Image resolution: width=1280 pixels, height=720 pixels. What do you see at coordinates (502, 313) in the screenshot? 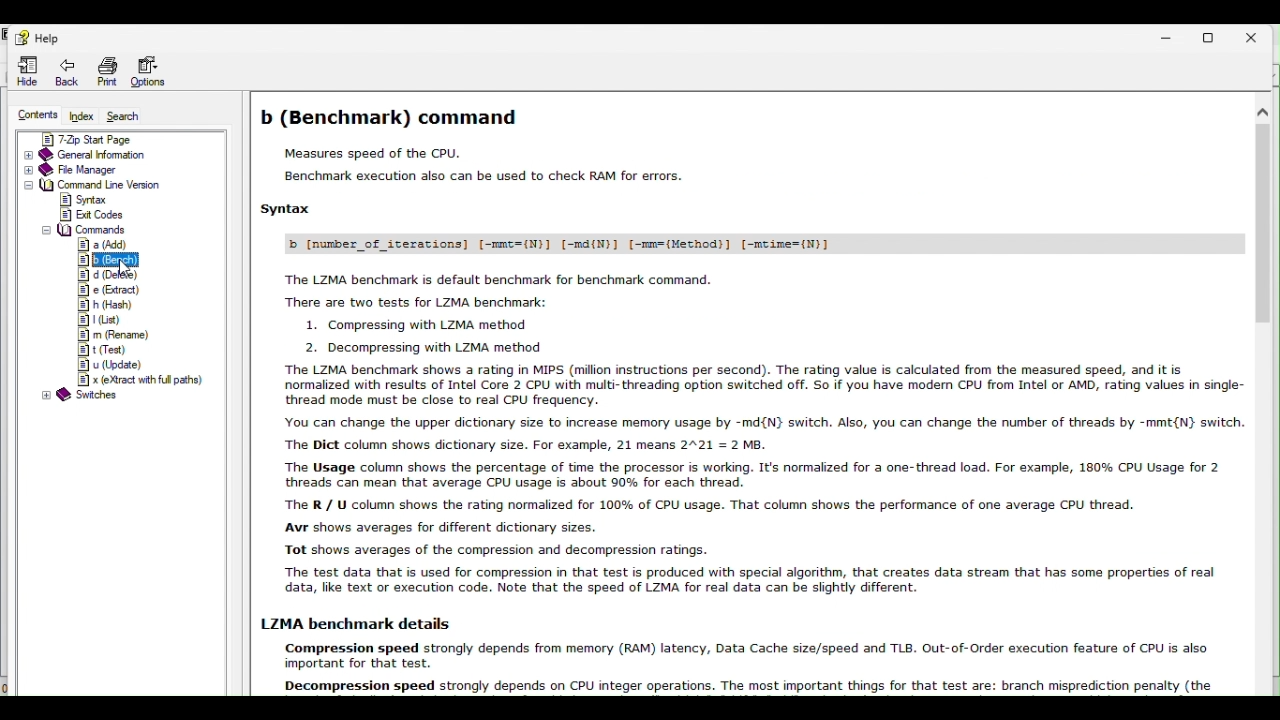
I see `The LZMA benchmark is default benchmark for benchmark command.
There are two tests for LZMA benchmark:

1. Compressing with LZMA method

2 Secs ellie stied` at bounding box center [502, 313].